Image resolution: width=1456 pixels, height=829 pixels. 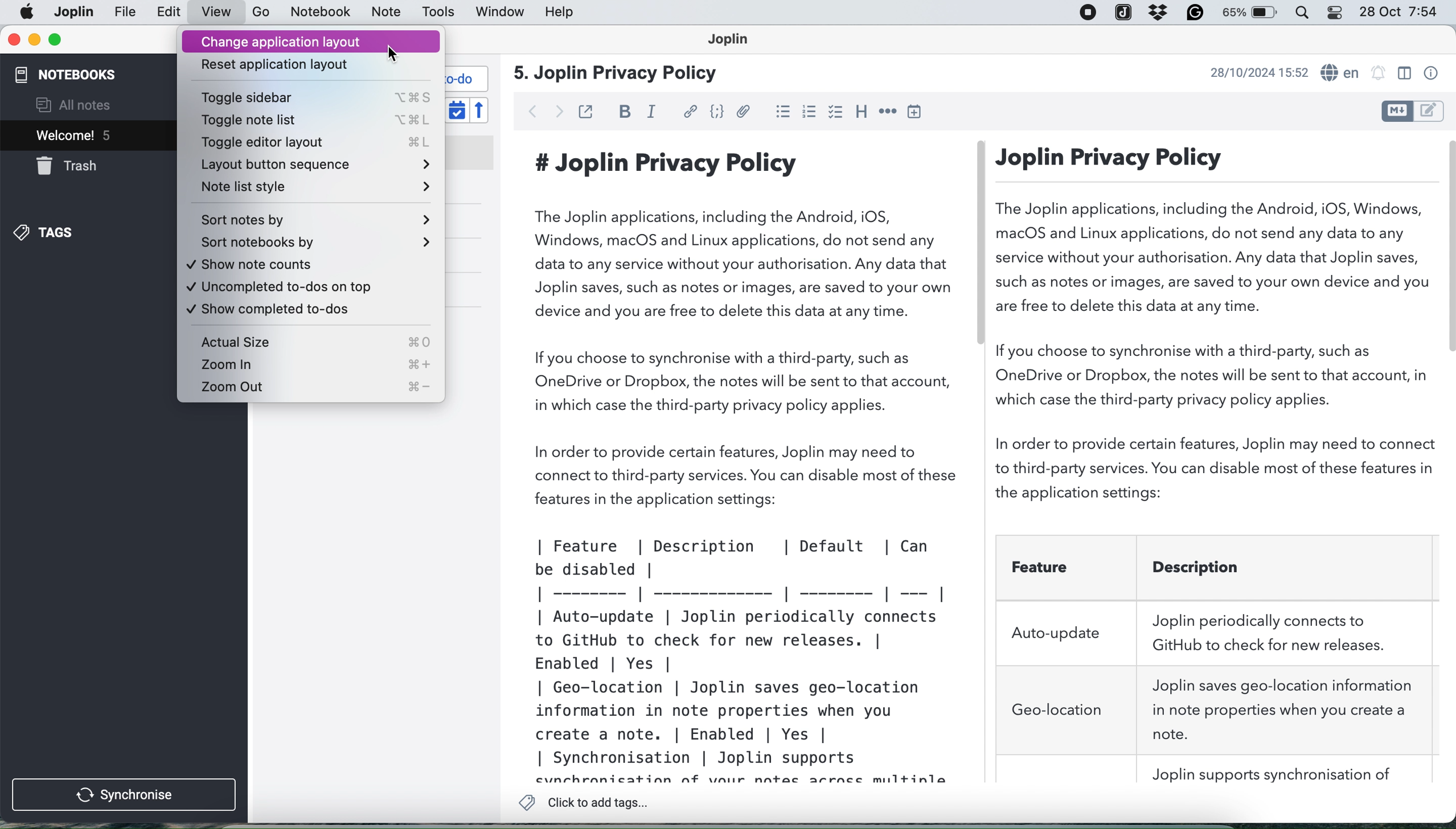 What do you see at coordinates (216, 13) in the screenshot?
I see `view` at bounding box center [216, 13].